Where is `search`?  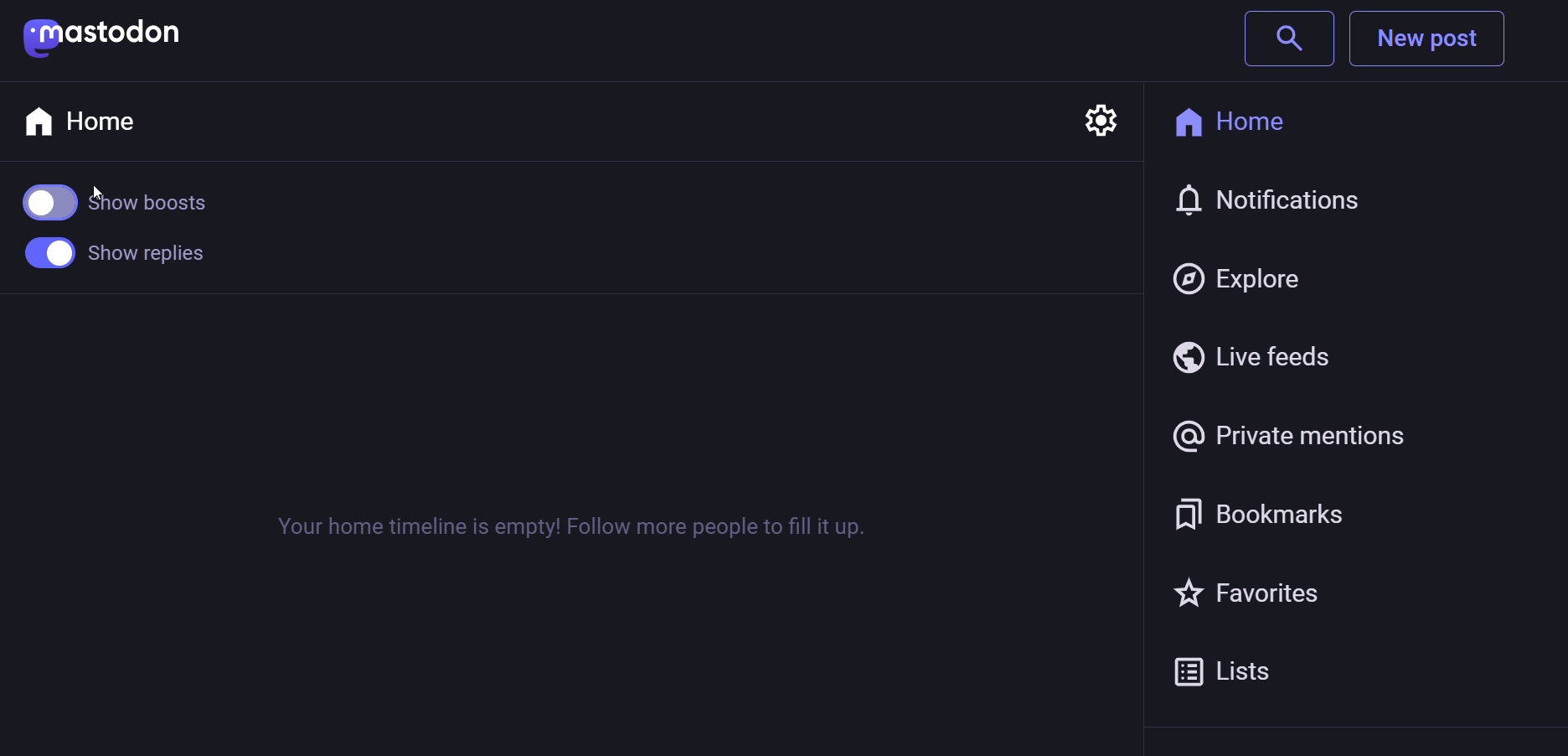
search is located at coordinates (1290, 41).